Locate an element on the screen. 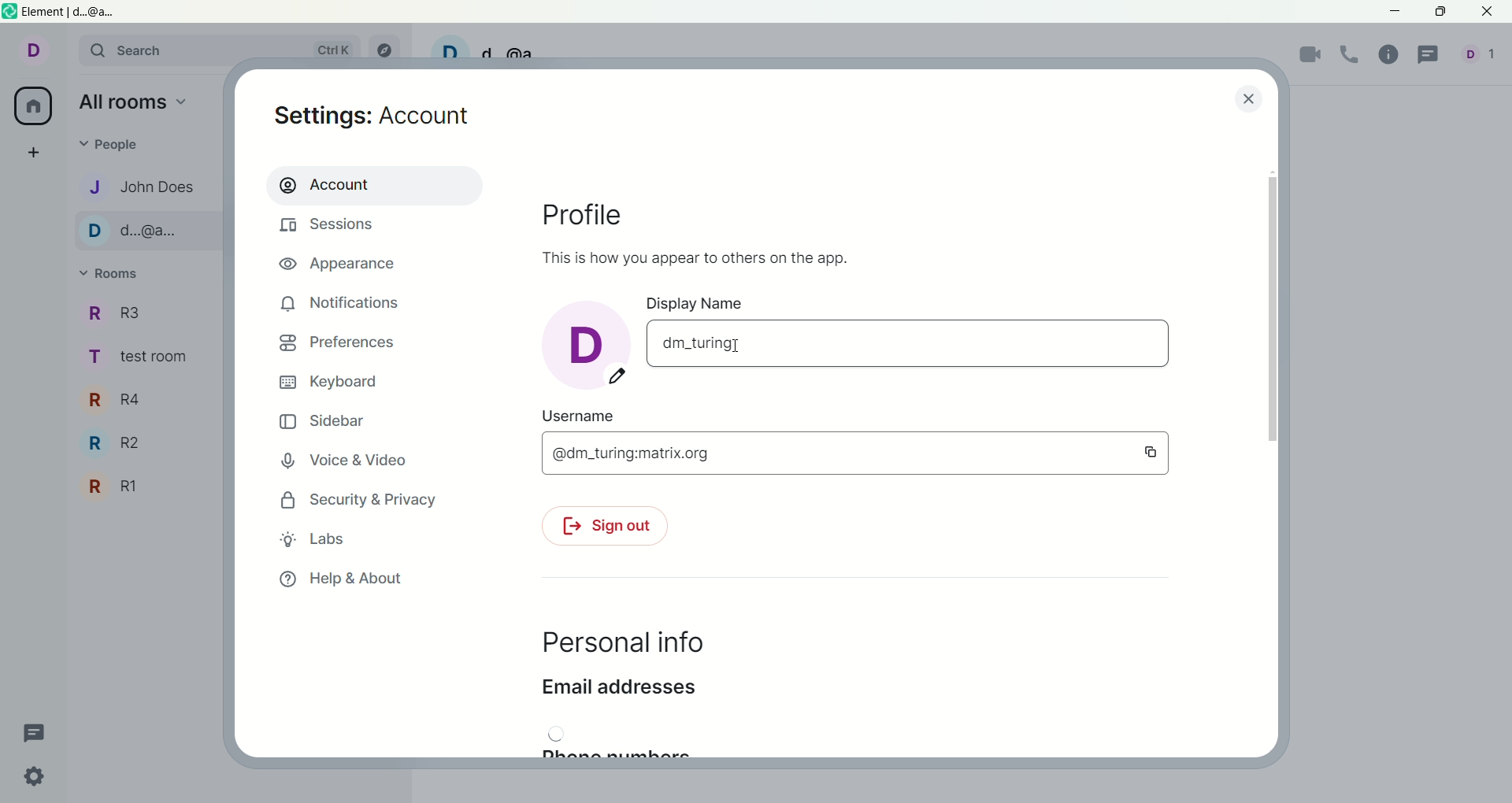  R3 is located at coordinates (125, 313).